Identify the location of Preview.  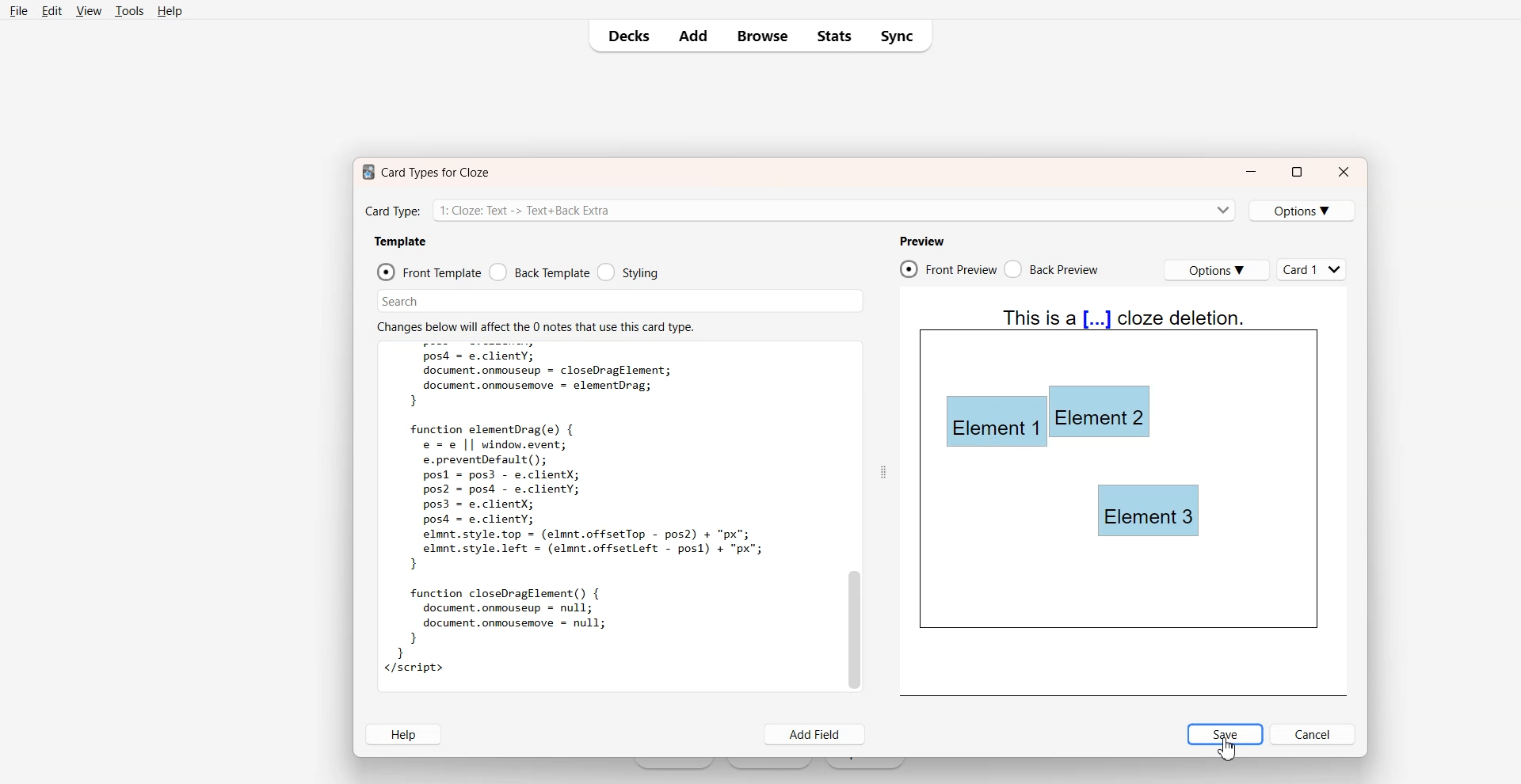
(921, 241).